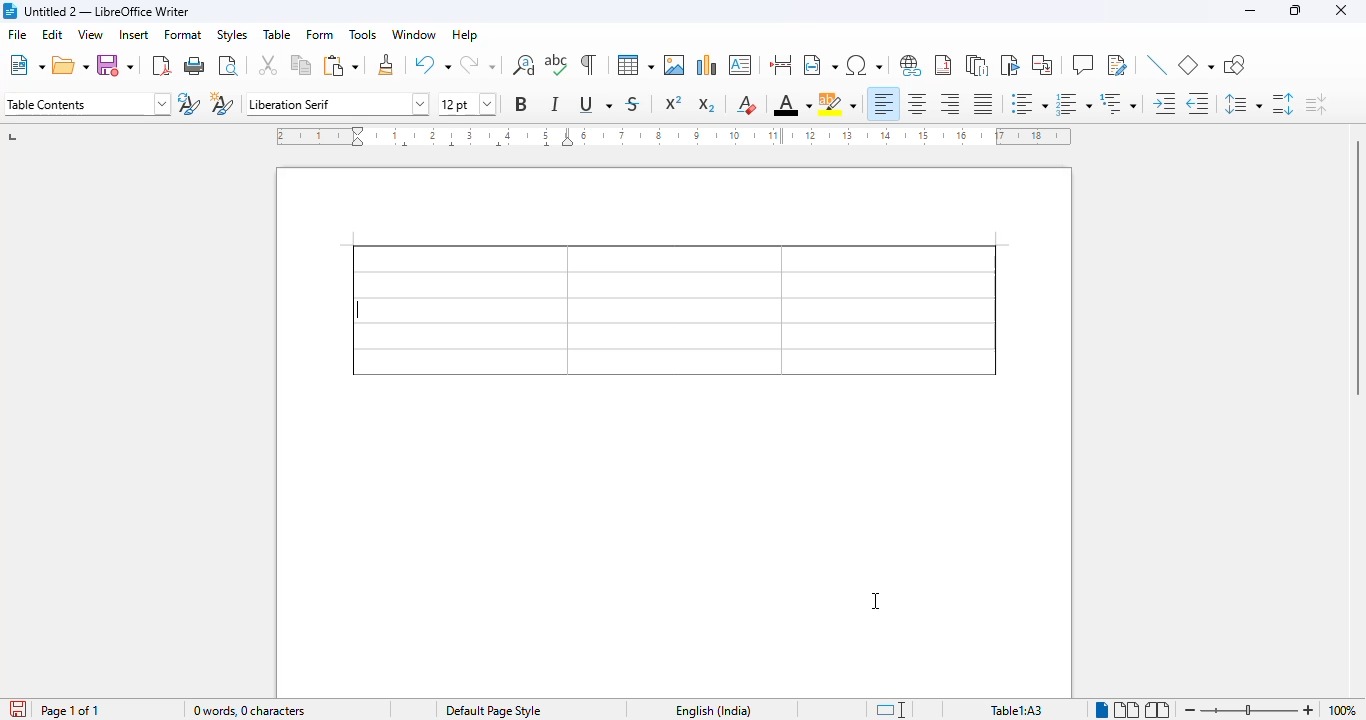 The width and height of the screenshot is (1366, 720). Describe the element at coordinates (116, 10) in the screenshot. I see `Untitled 2 — LibreOffice Writer` at that location.